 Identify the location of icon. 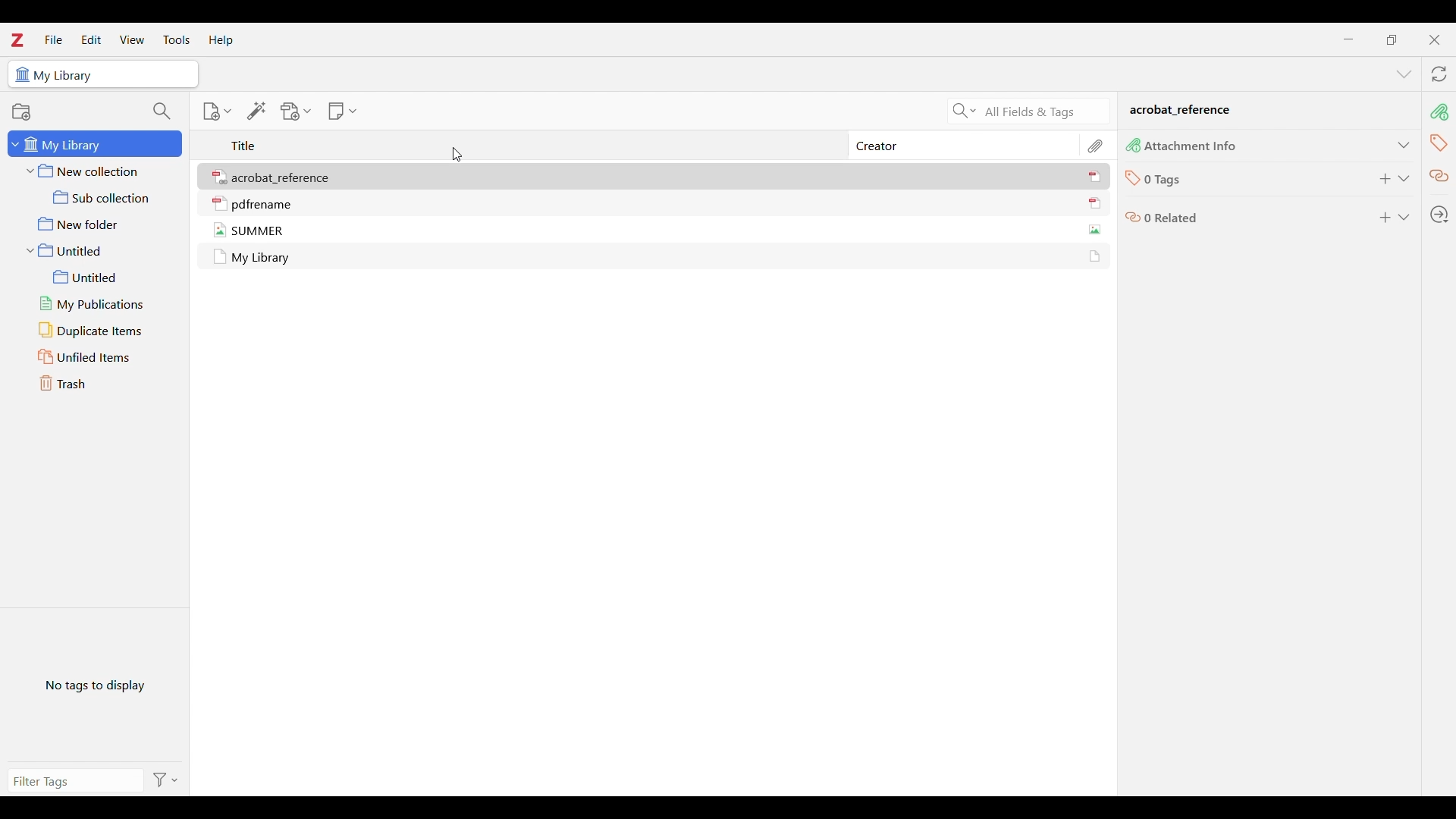
(1133, 219).